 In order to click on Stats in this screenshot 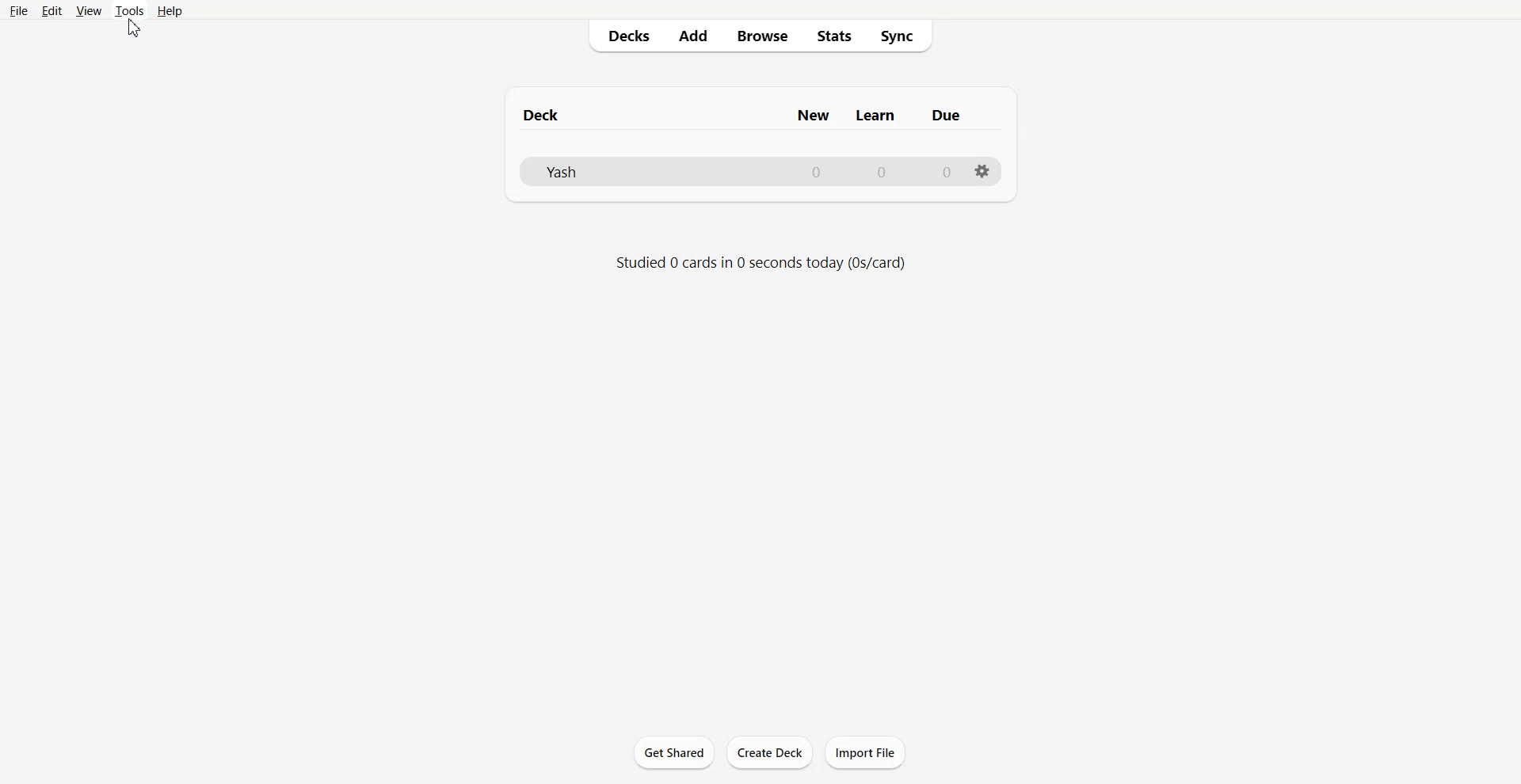, I will do `click(835, 36)`.